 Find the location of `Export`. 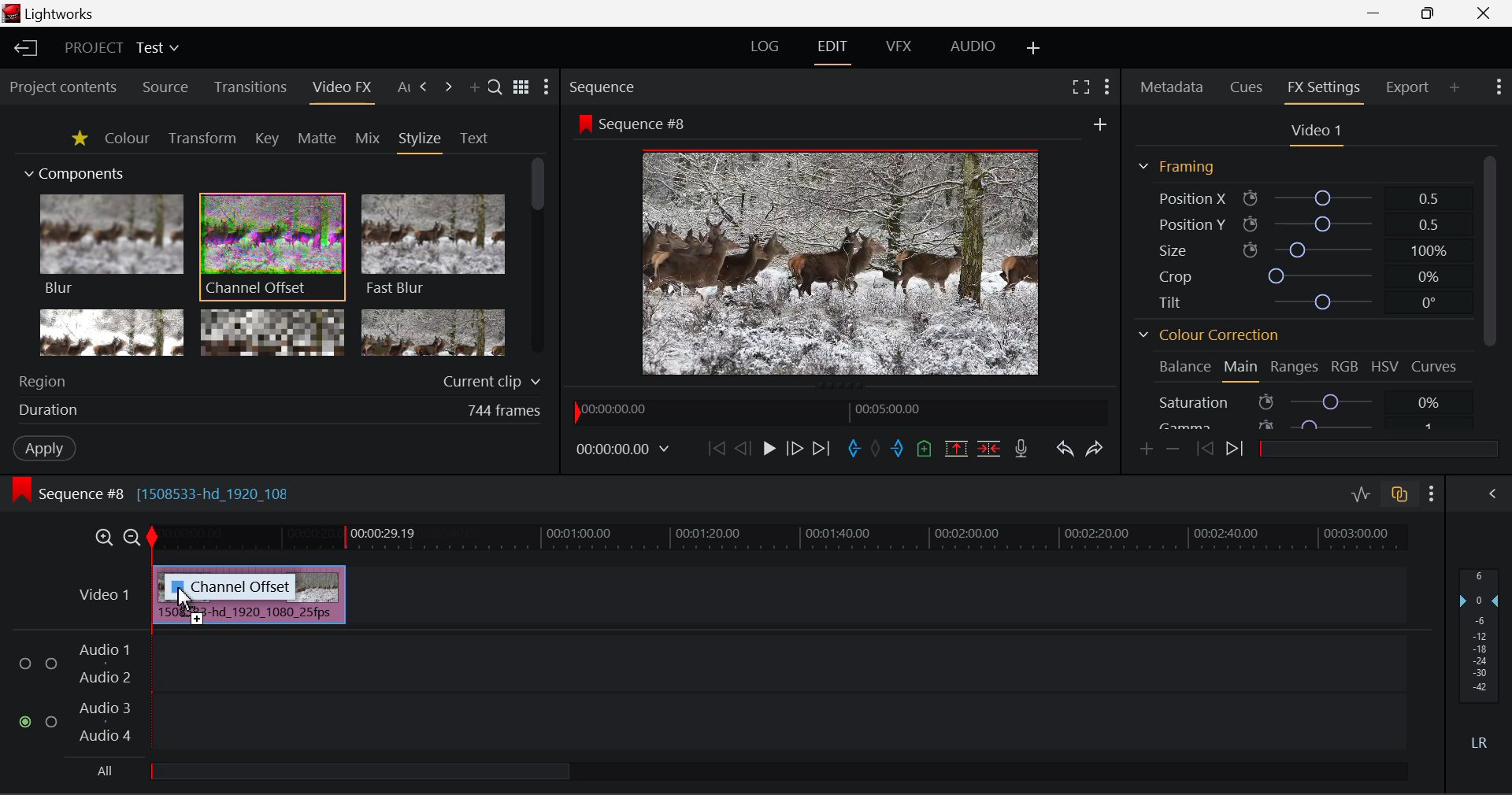

Export is located at coordinates (1408, 87).